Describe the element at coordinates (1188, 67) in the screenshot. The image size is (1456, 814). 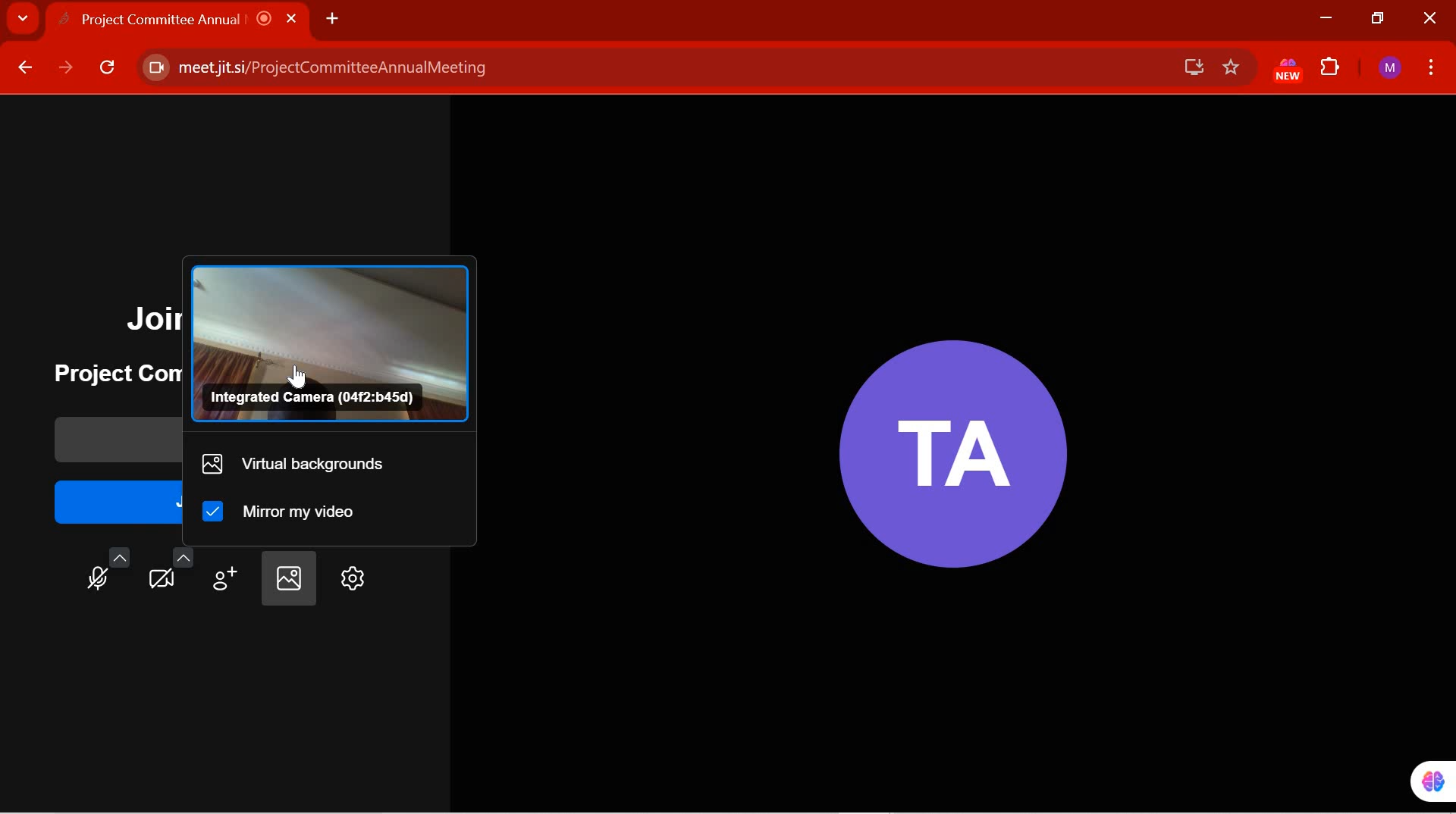
I see `save offline` at that location.